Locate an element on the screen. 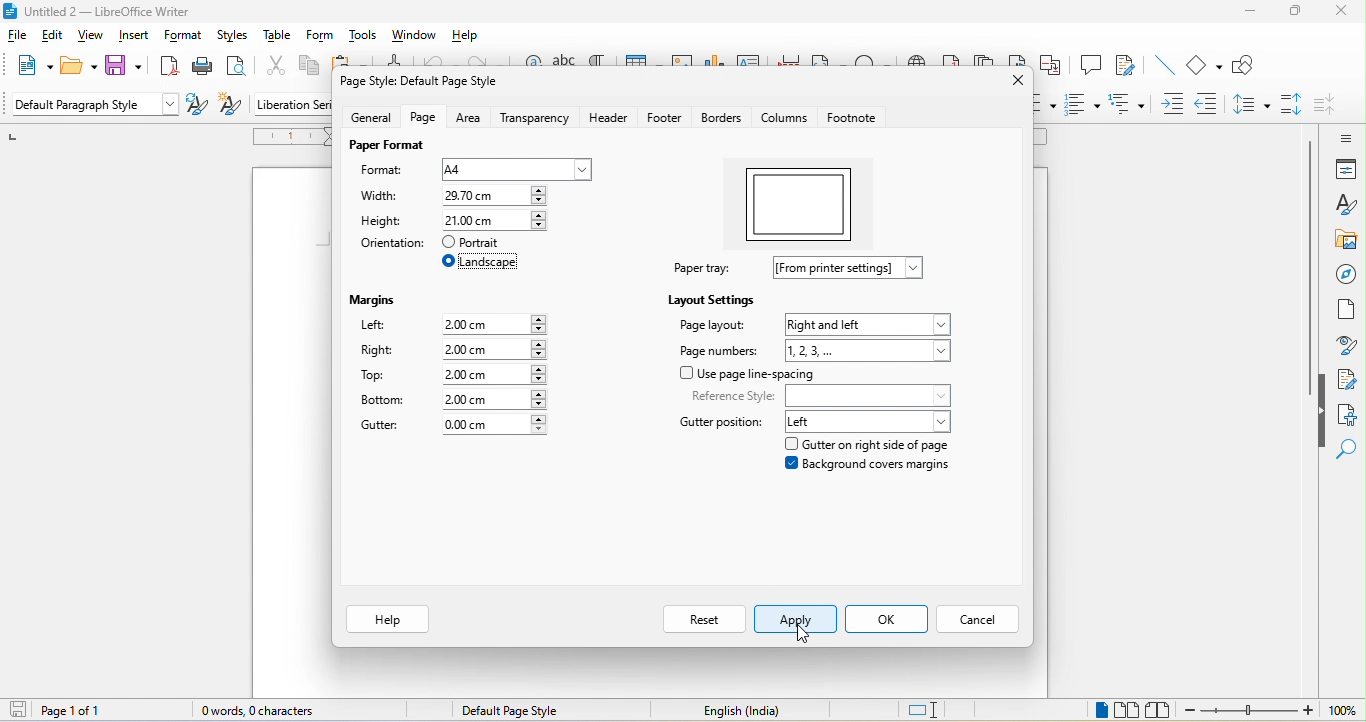  page is located at coordinates (421, 117).